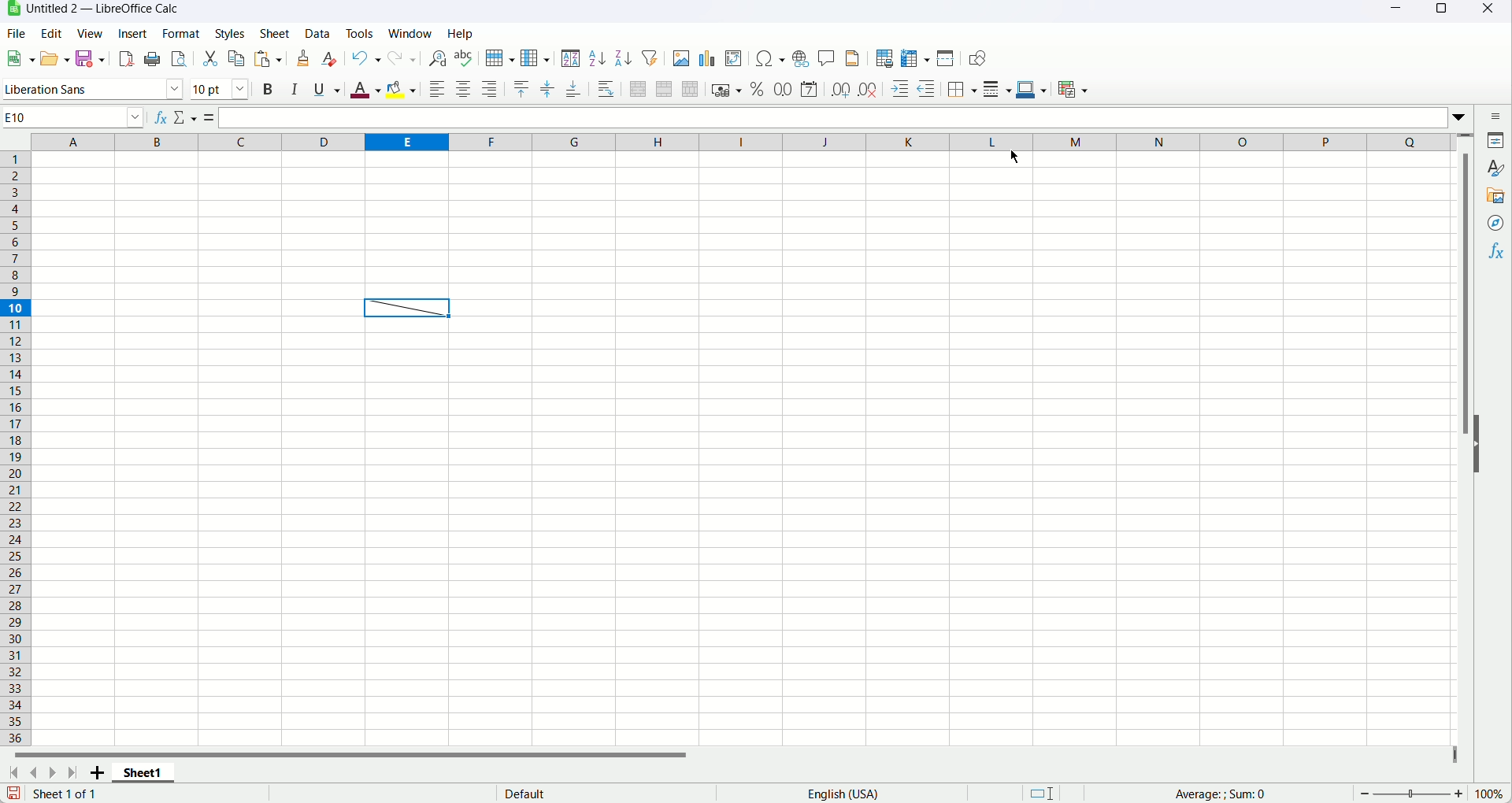 Image resolution: width=1512 pixels, height=803 pixels. What do you see at coordinates (94, 90) in the screenshot?
I see `Font name` at bounding box center [94, 90].